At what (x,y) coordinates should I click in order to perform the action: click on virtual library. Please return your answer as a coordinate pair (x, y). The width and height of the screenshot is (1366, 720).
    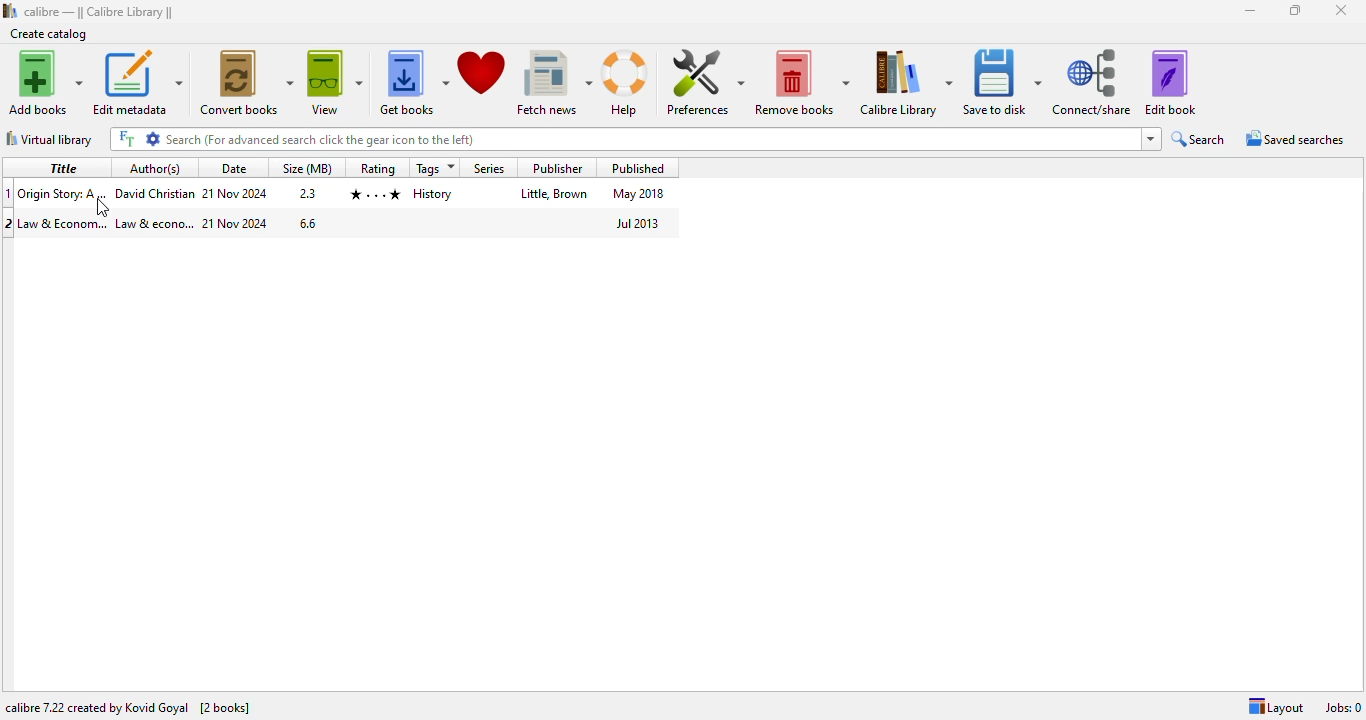
    Looking at the image, I should click on (49, 139).